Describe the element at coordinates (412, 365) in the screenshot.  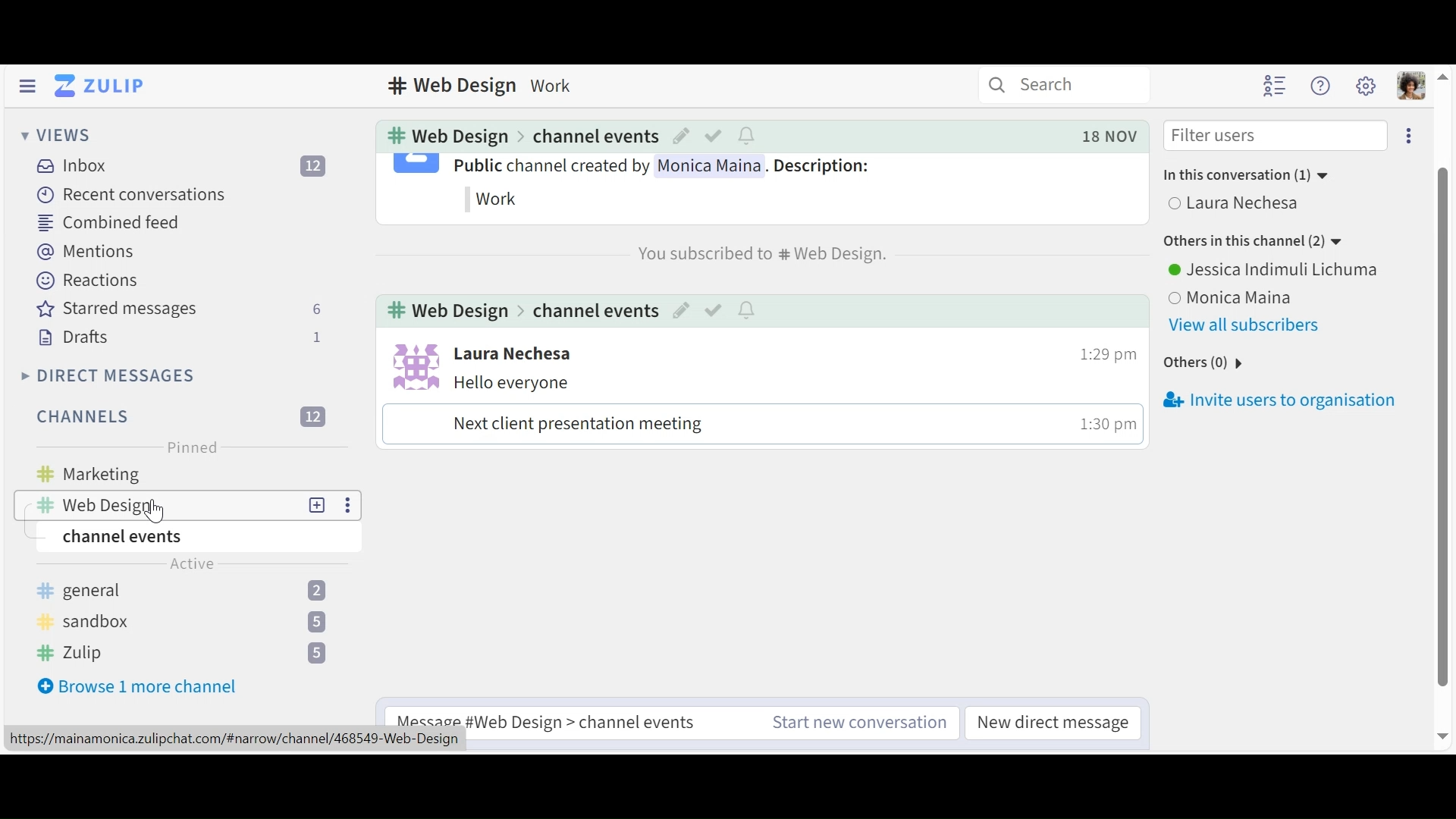
I see `profile photo` at that location.